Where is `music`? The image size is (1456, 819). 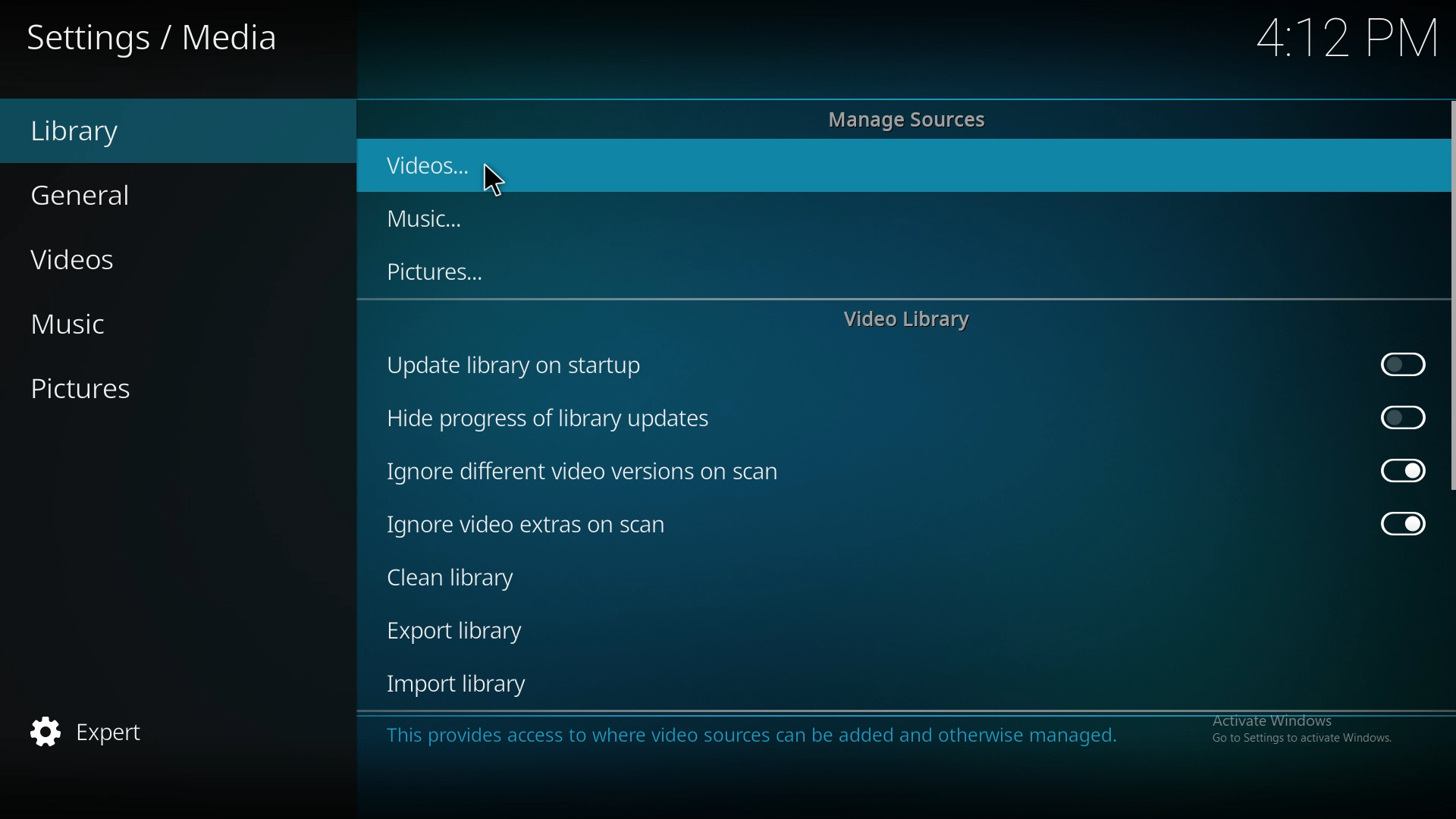 music is located at coordinates (507, 221).